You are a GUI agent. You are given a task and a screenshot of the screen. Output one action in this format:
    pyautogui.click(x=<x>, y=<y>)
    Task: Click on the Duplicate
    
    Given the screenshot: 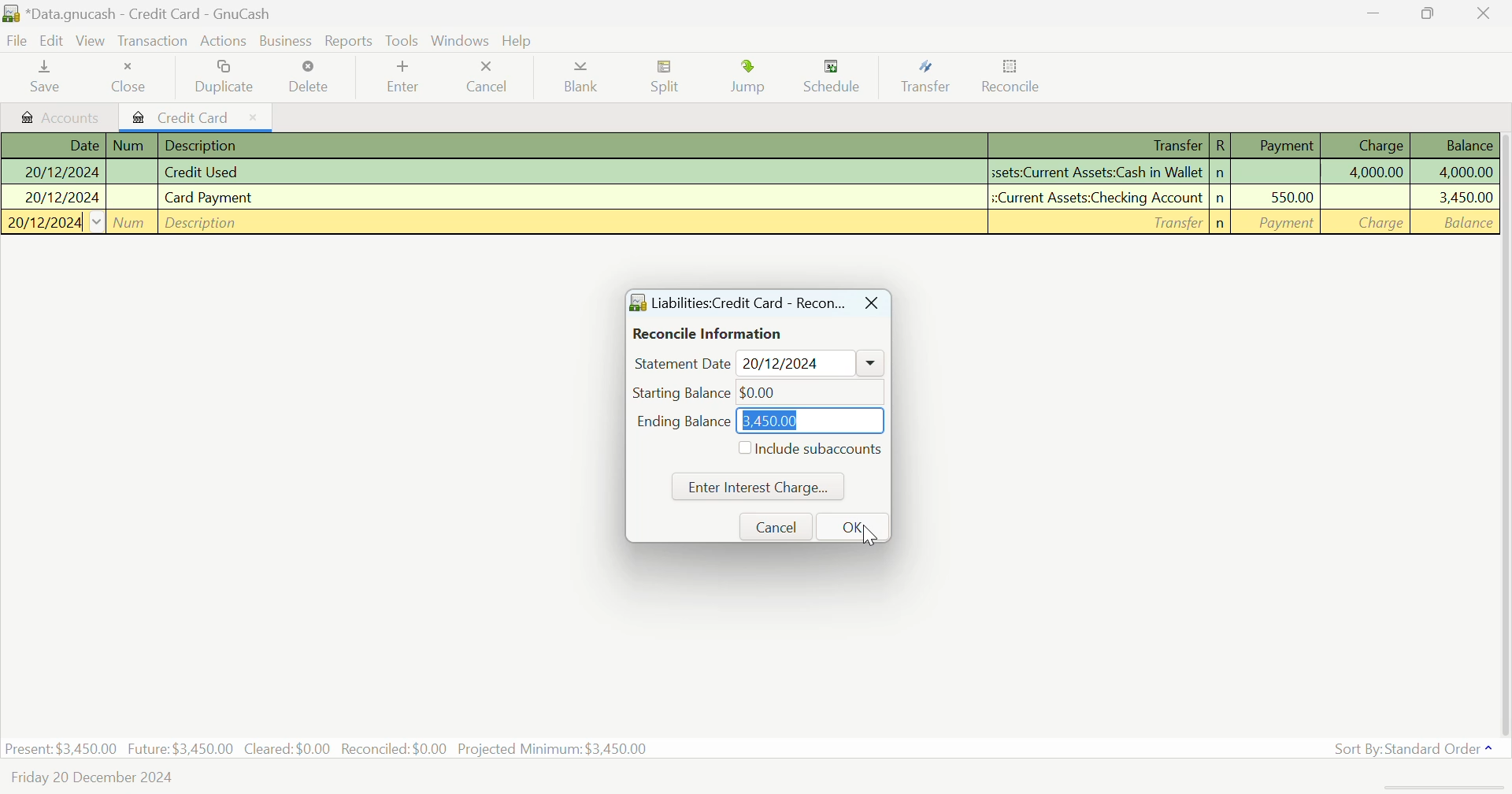 What is the action you would take?
    pyautogui.click(x=226, y=80)
    